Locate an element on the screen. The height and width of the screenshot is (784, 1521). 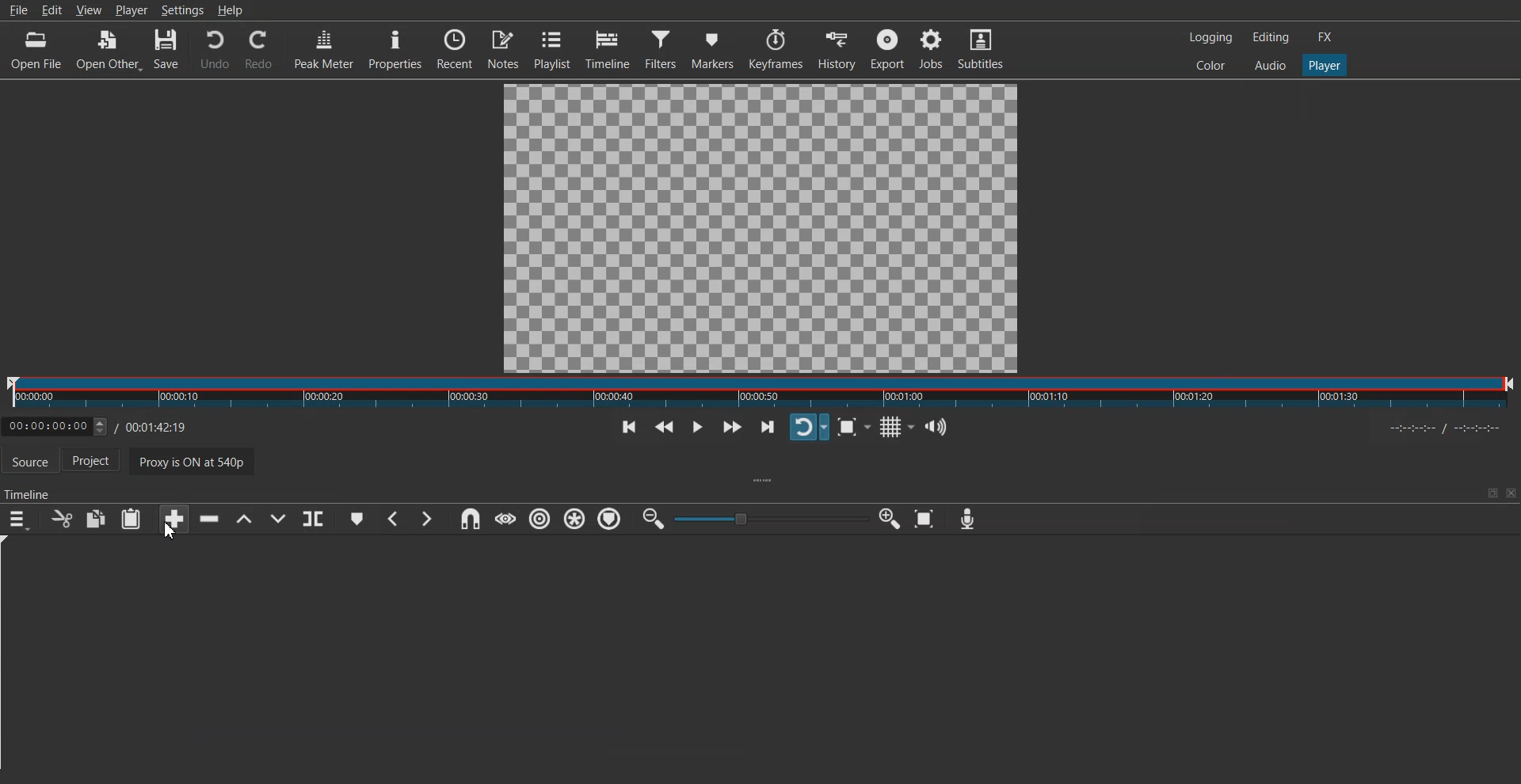
Skip to next point is located at coordinates (769, 428).